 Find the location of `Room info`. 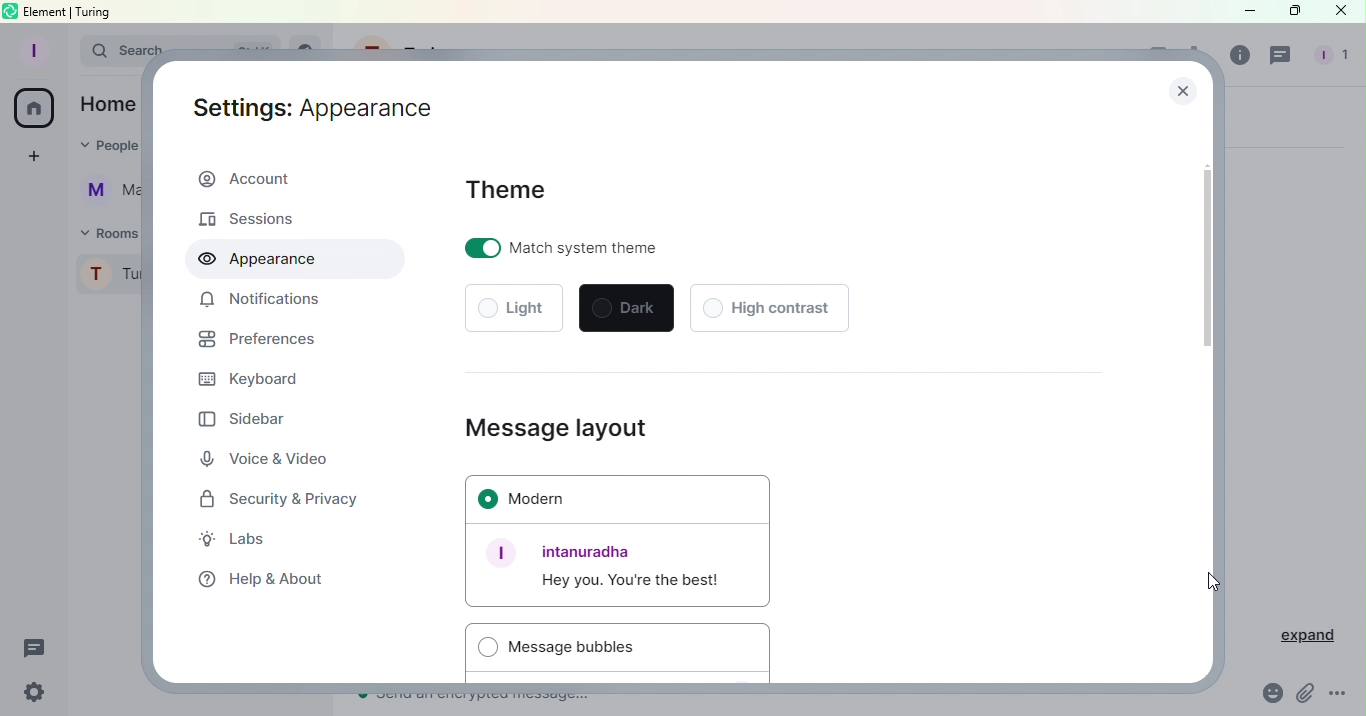

Room info is located at coordinates (1239, 54).